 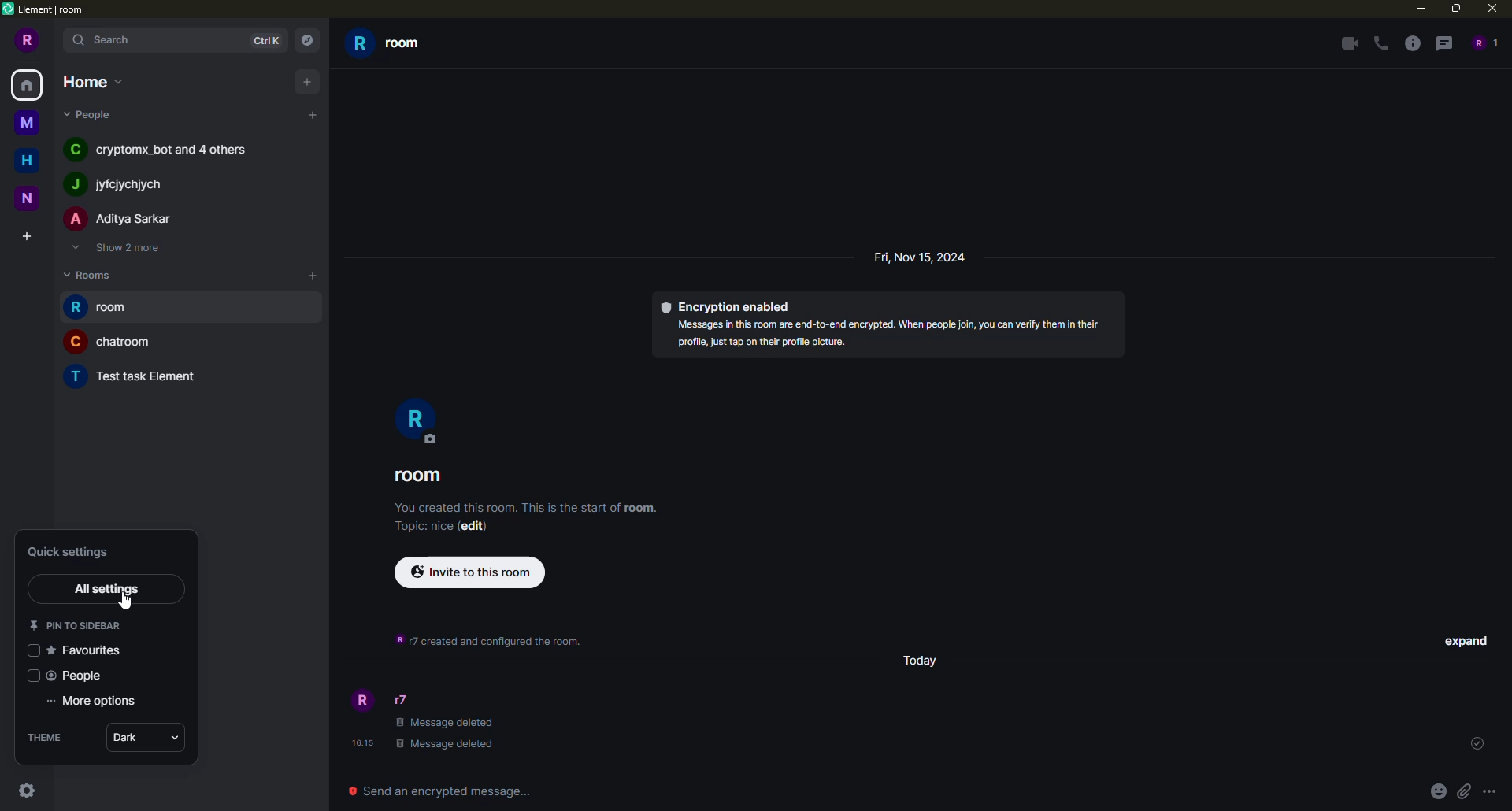 I want to click on info, so click(x=895, y=335).